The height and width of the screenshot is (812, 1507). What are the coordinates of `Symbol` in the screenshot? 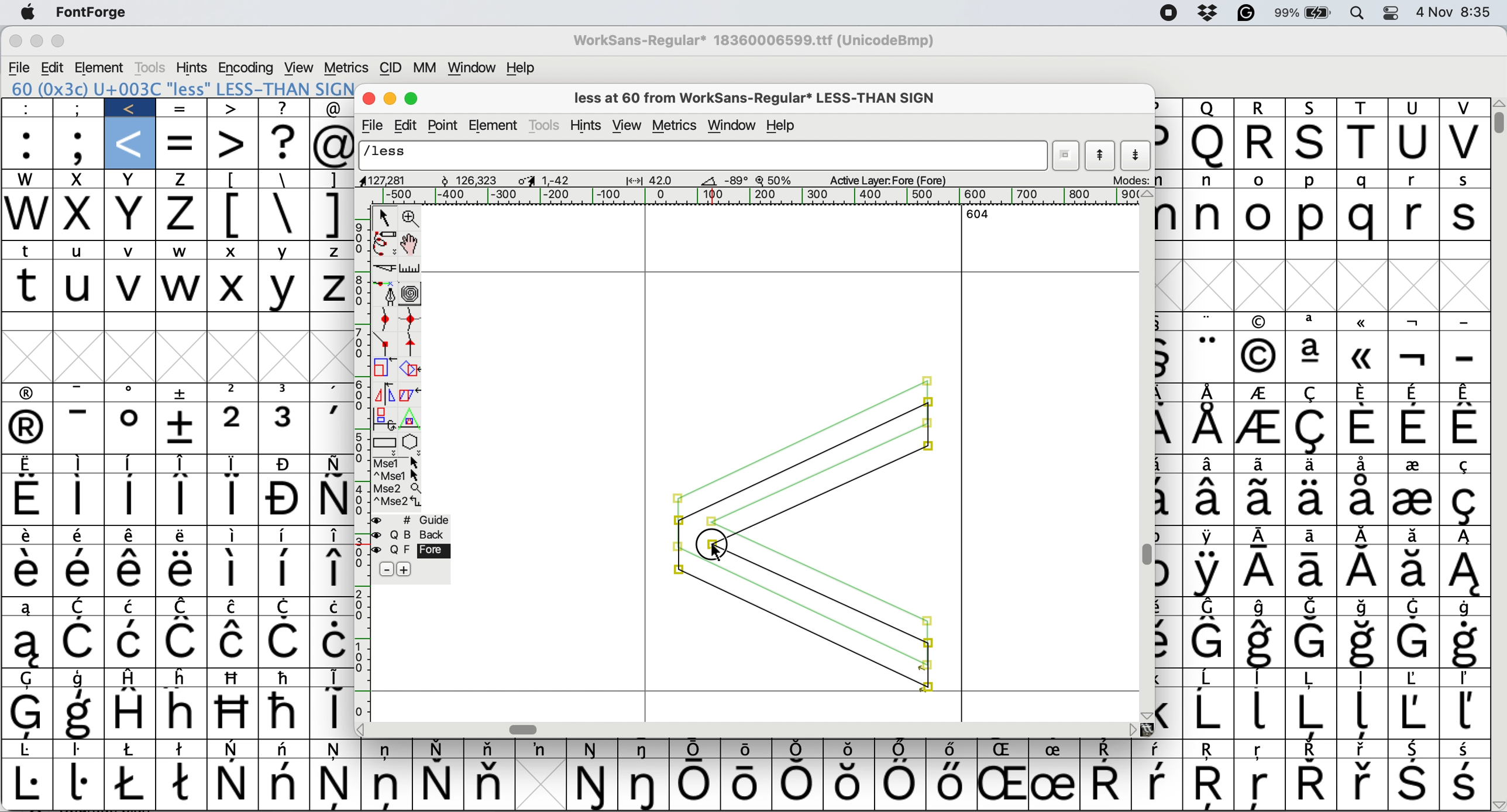 It's located at (1415, 429).